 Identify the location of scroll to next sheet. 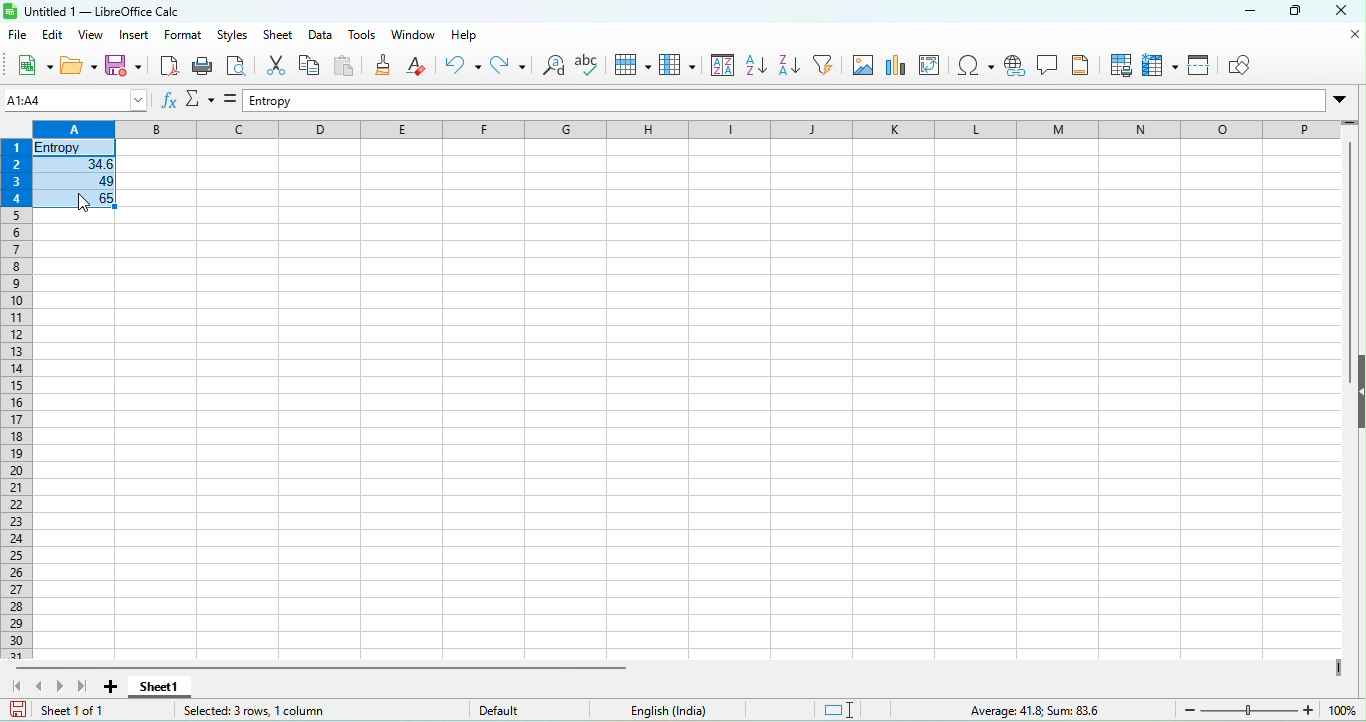
(65, 682).